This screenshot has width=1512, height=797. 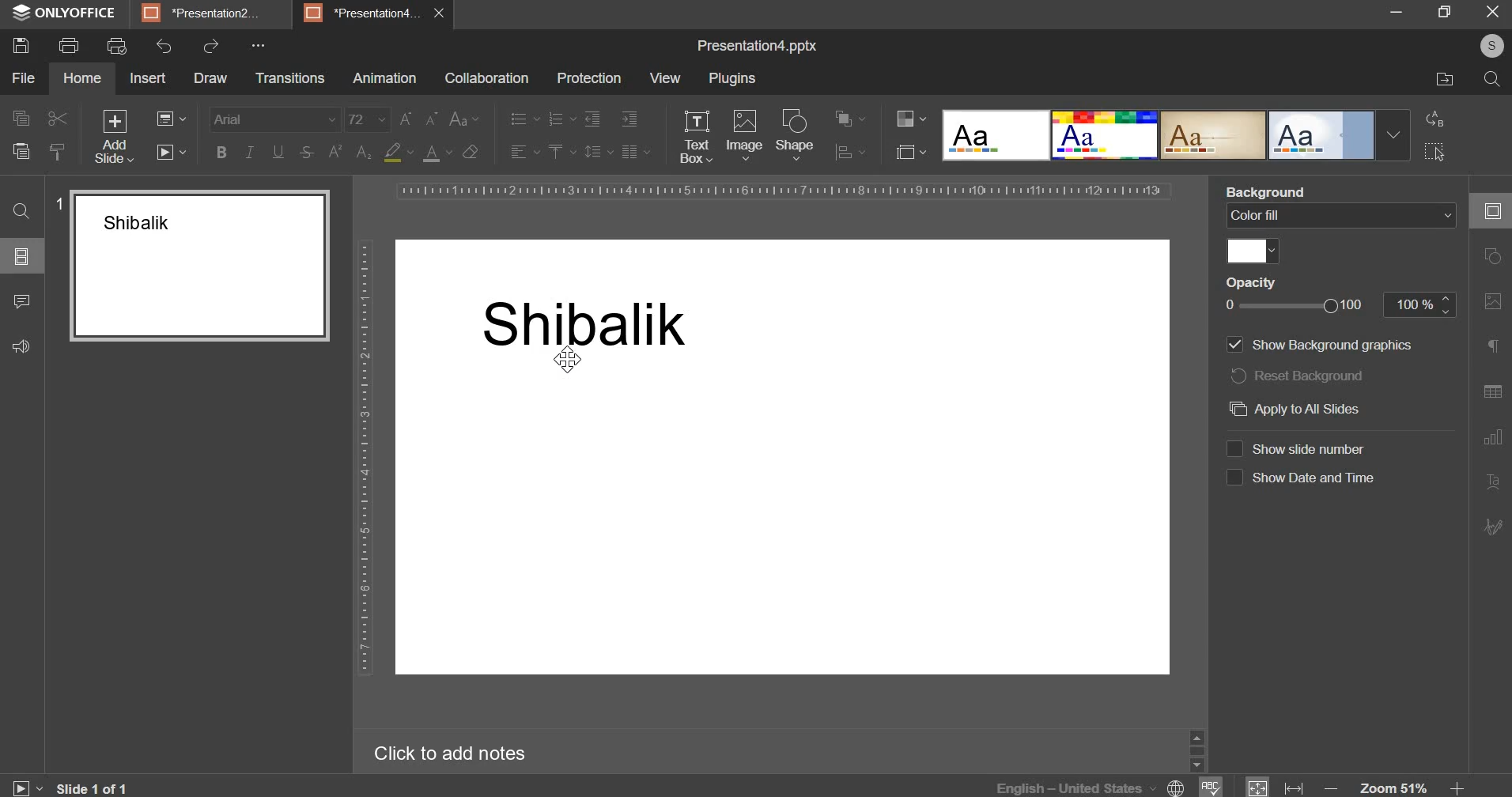 What do you see at coordinates (1067, 786) in the screenshot?
I see `english - united states` at bounding box center [1067, 786].